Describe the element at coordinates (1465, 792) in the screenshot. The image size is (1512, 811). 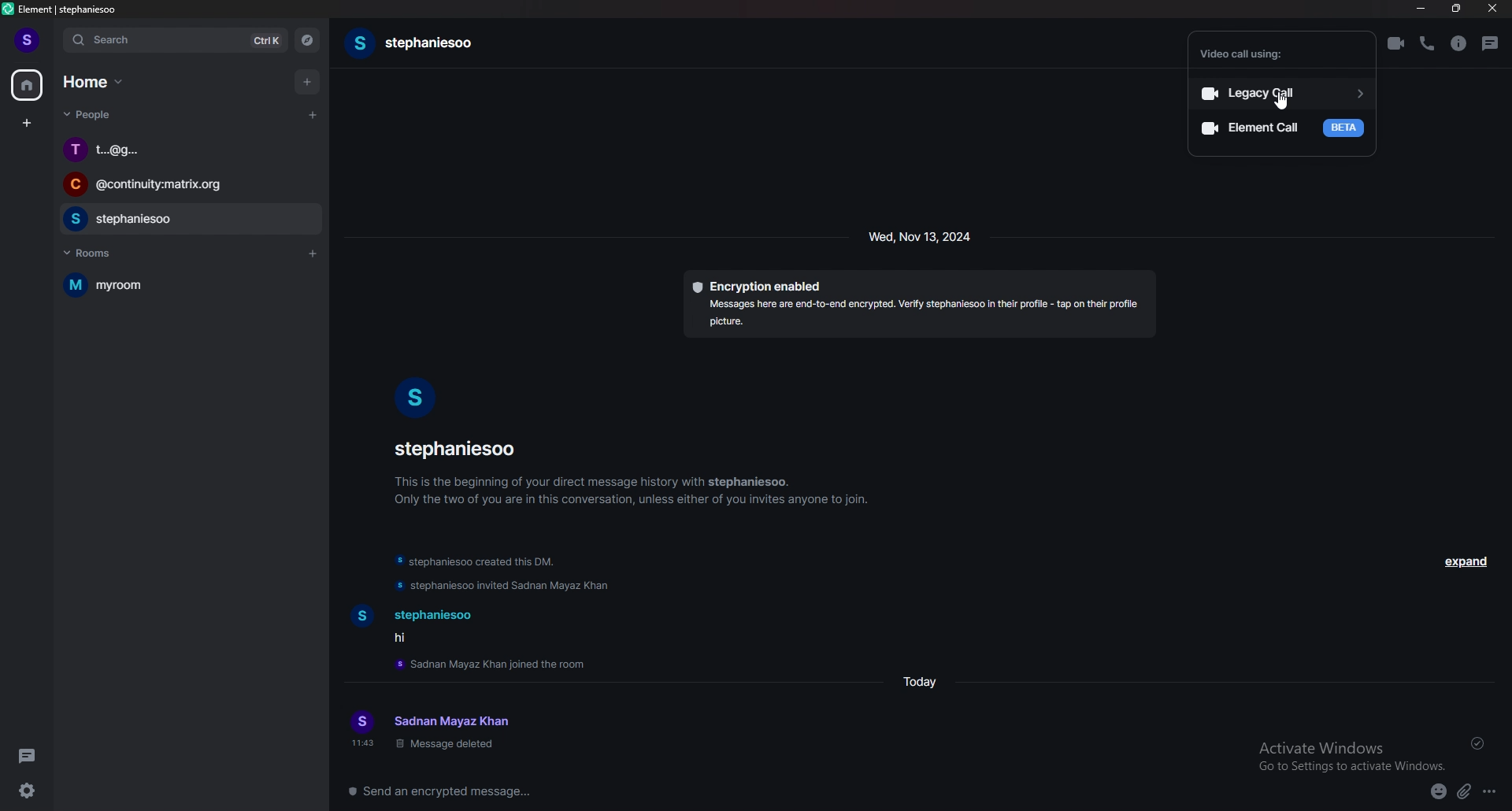
I see `attachment` at that location.